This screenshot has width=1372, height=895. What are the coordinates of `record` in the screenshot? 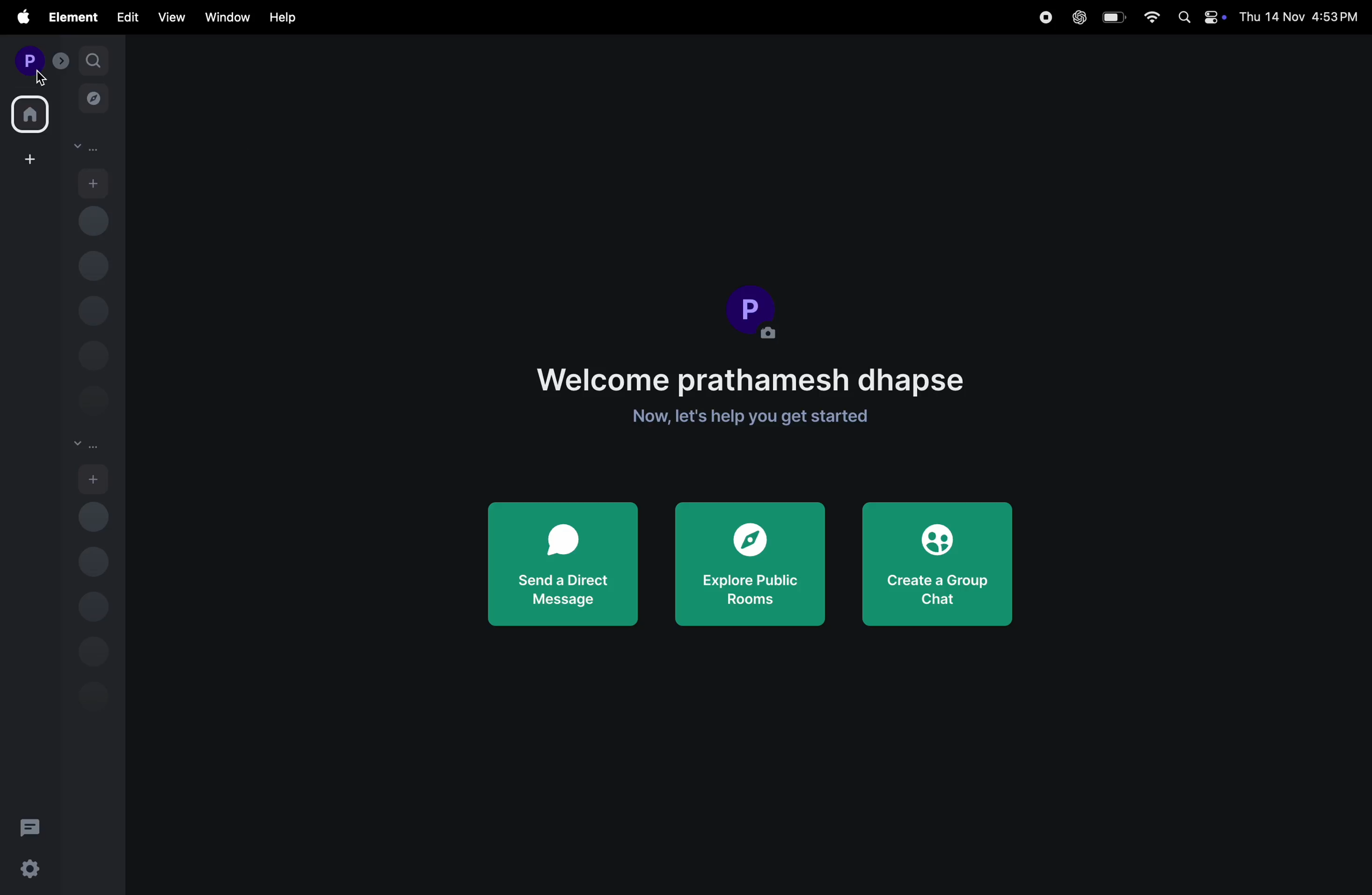 It's located at (1045, 17).